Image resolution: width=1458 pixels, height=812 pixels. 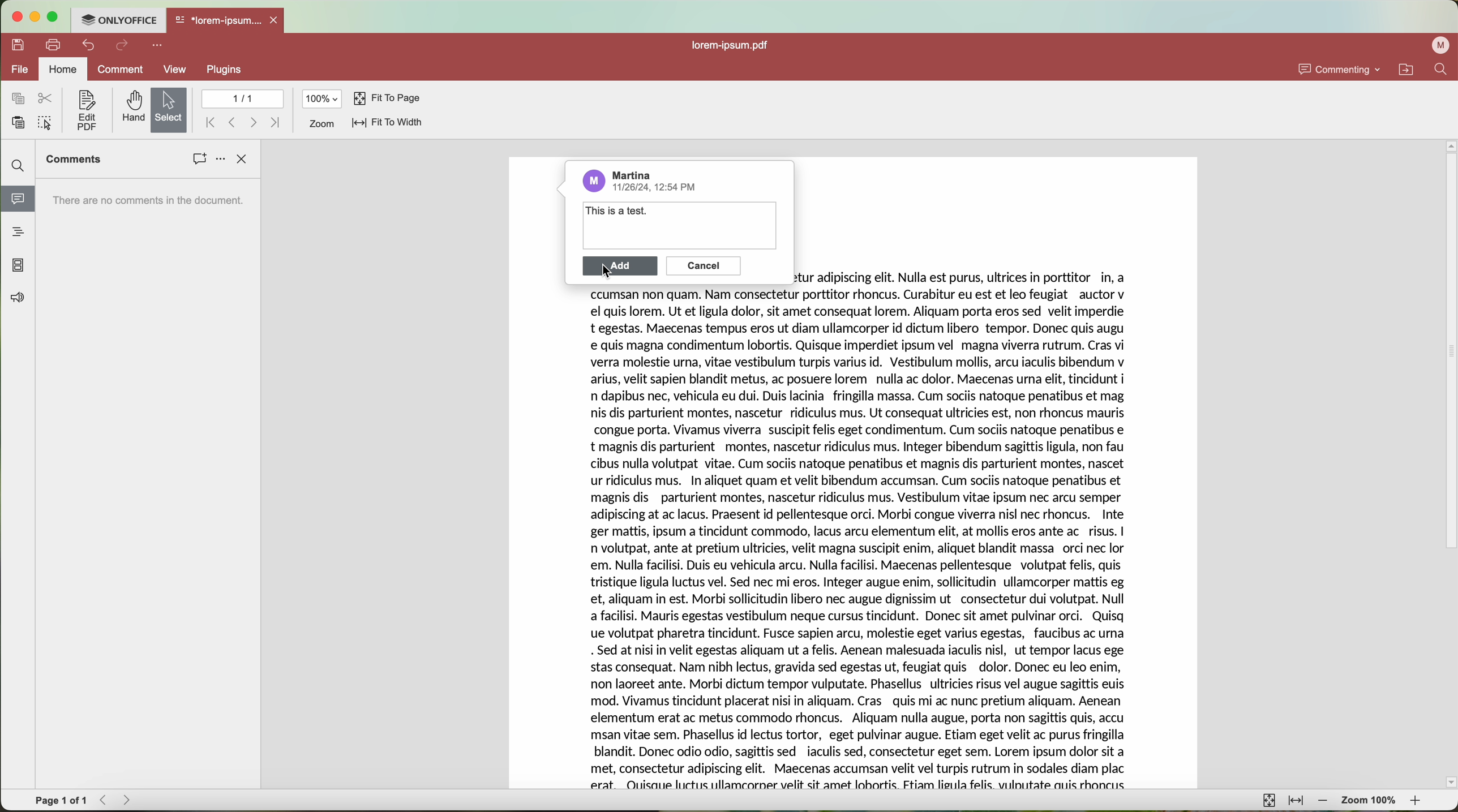 I want to click on navigate arrows, so click(x=117, y=801).